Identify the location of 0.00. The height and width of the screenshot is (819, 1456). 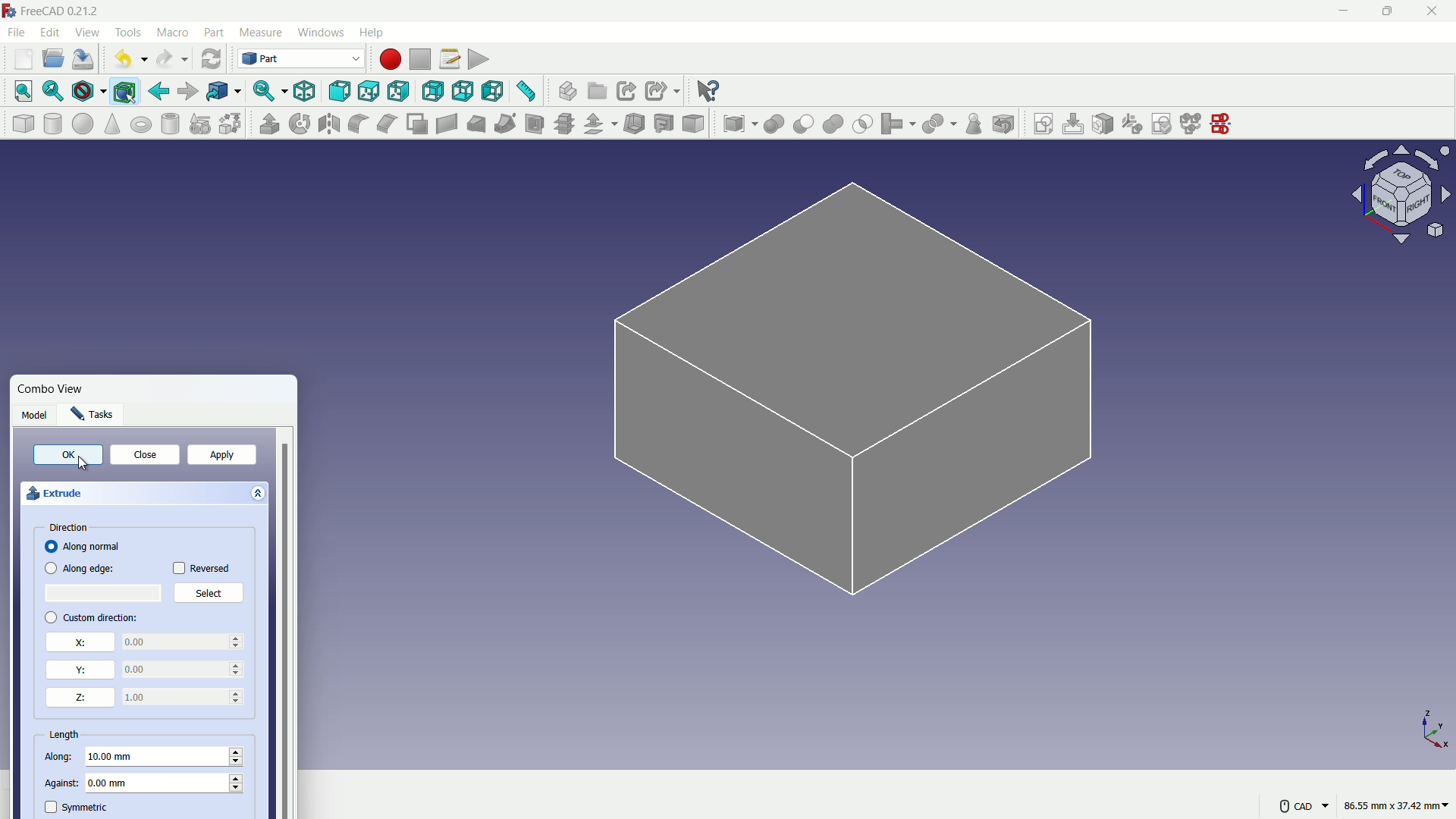
(185, 698).